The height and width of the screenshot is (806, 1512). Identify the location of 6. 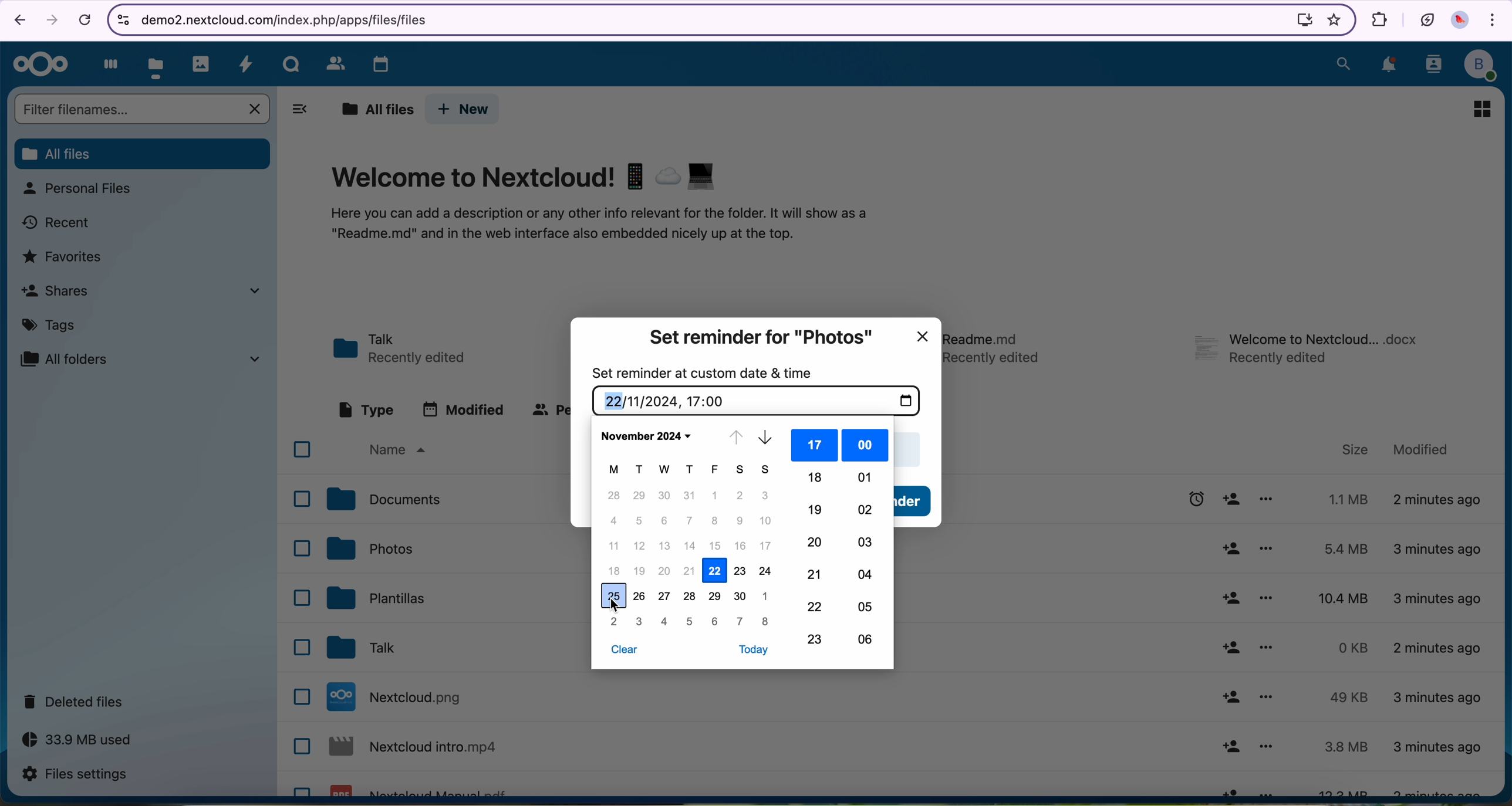
(663, 521).